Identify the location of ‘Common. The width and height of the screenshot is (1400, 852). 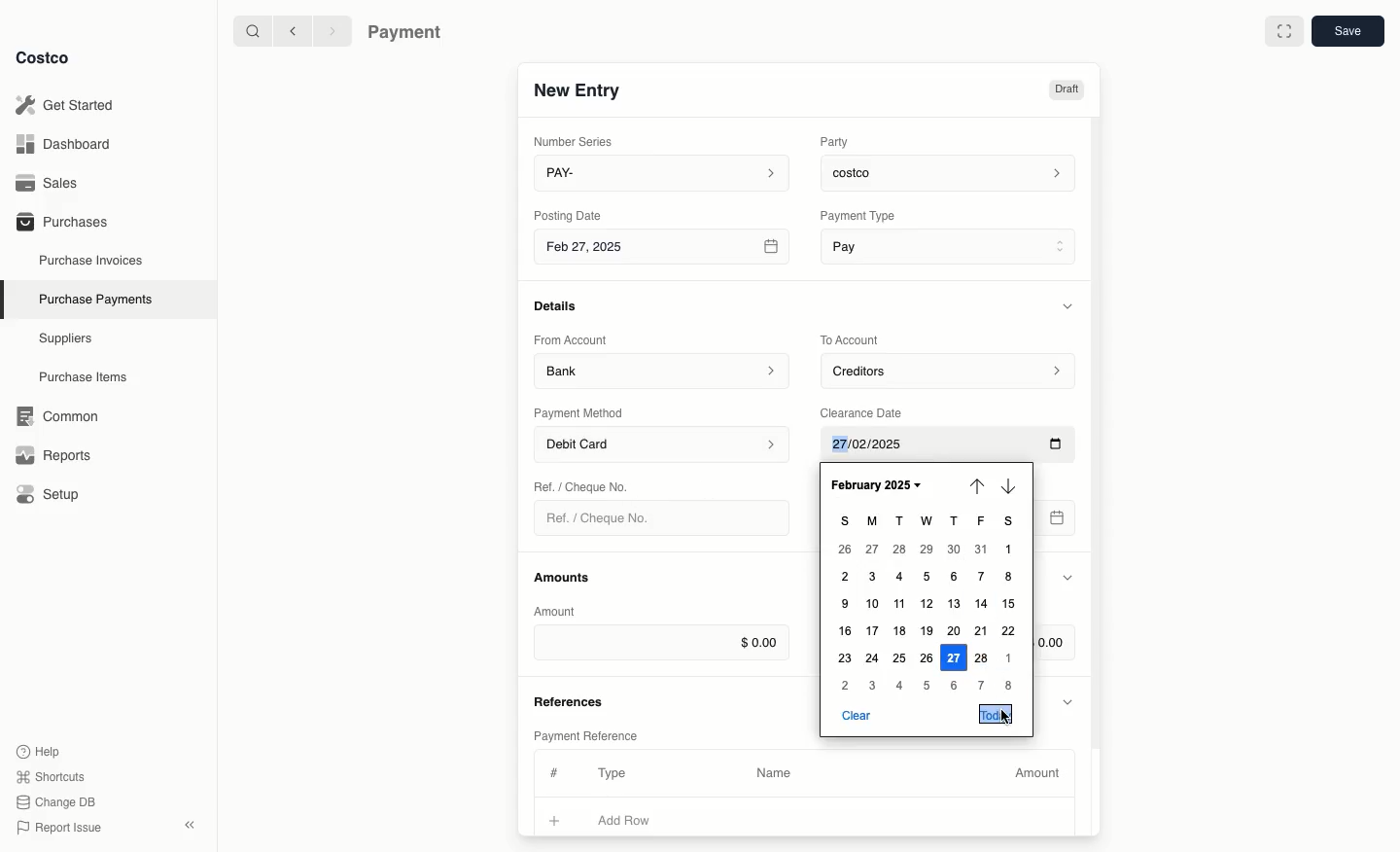
(61, 413).